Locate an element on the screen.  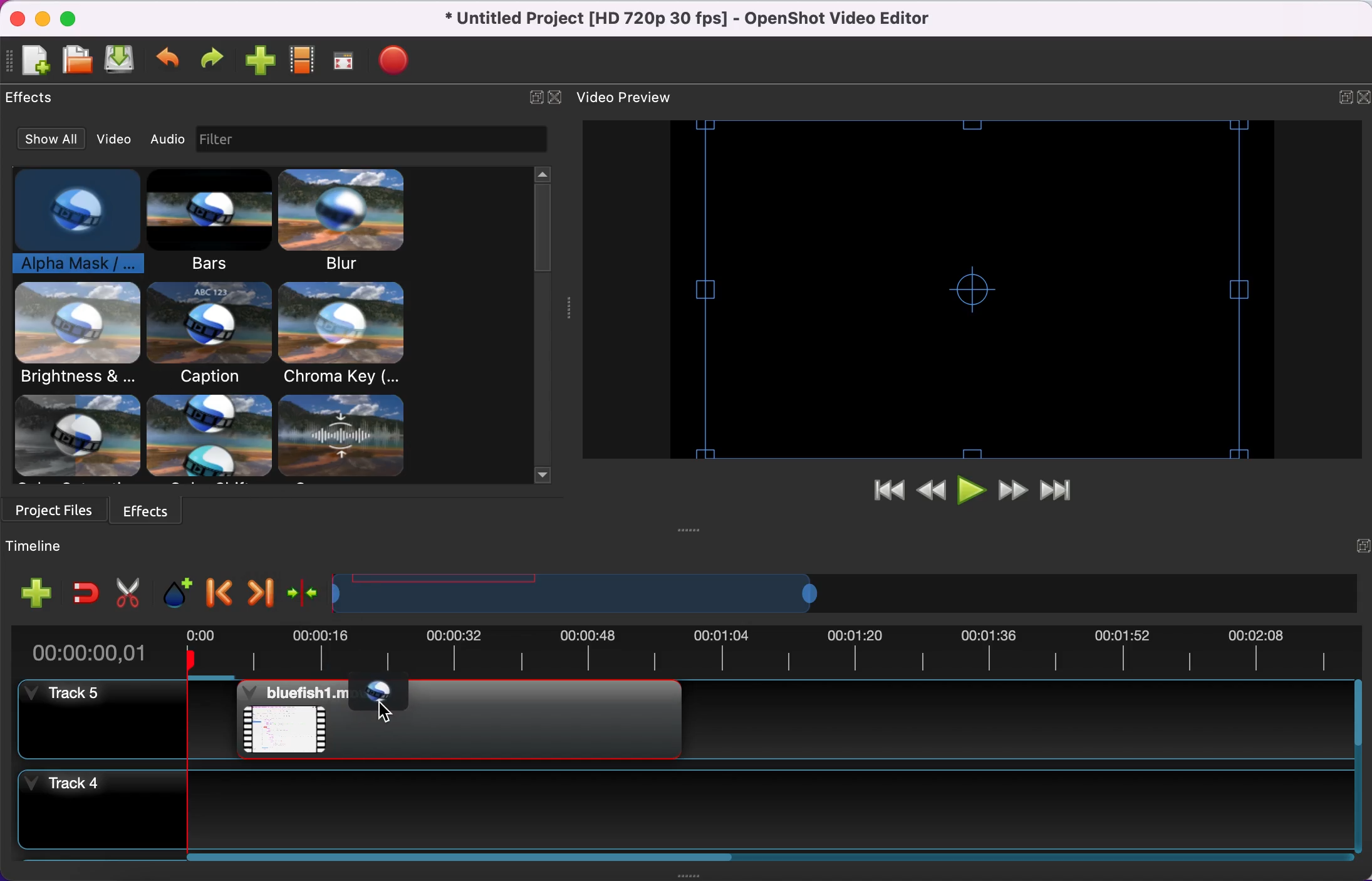
import video is located at coordinates (259, 63).